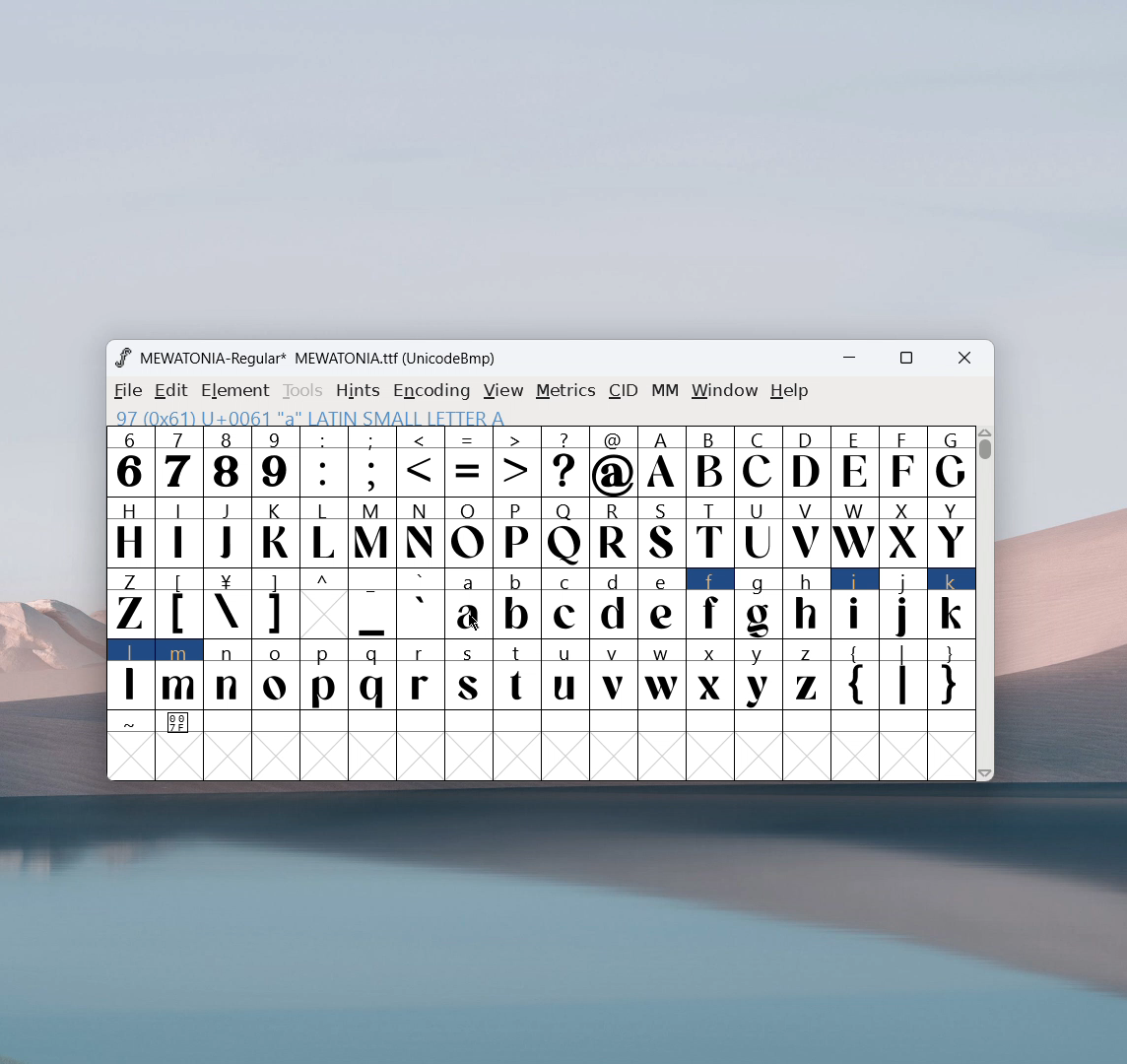  What do you see at coordinates (805, 531) in the screenshot?
I see `V` at bounding box center [805, 531].